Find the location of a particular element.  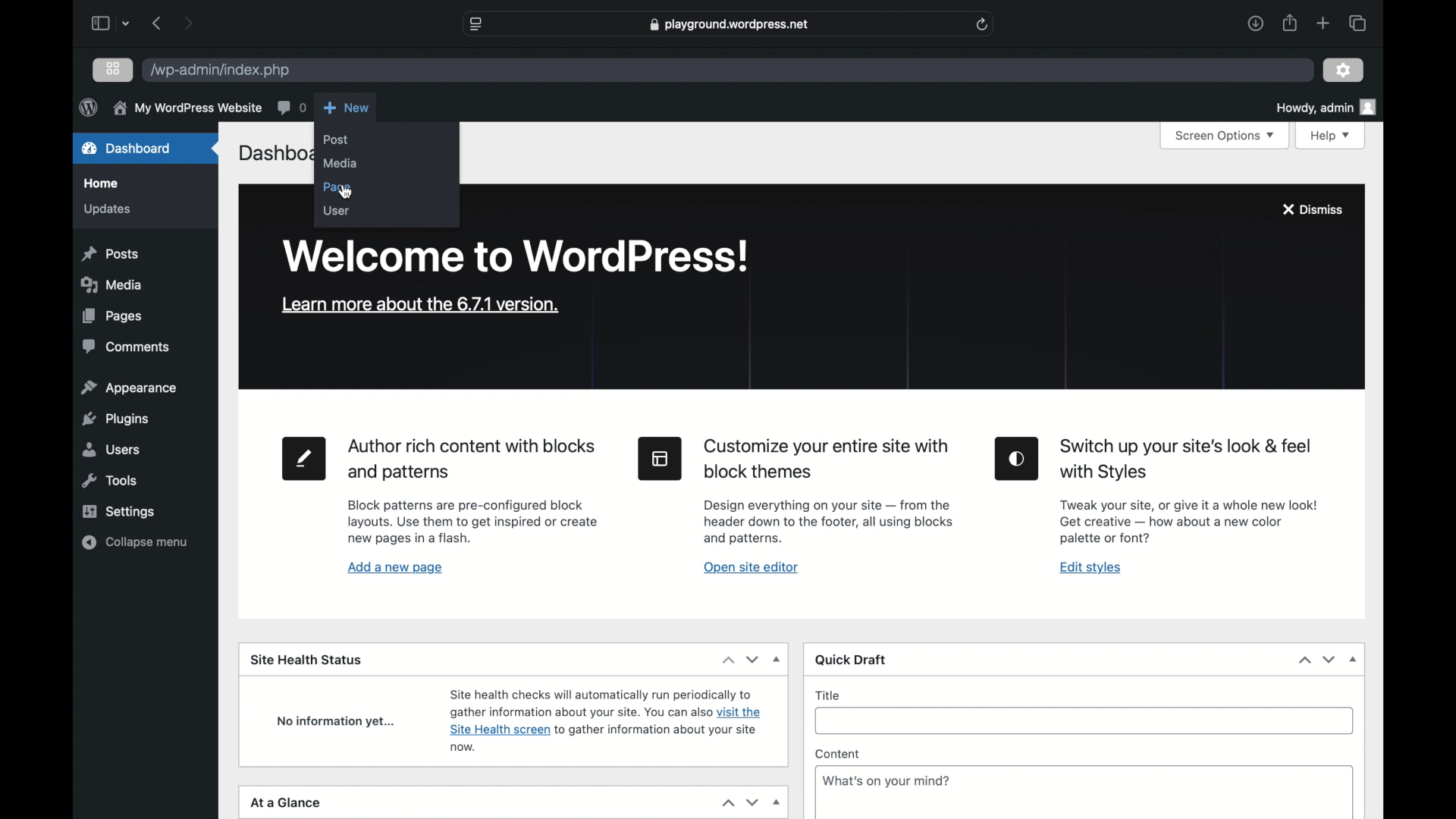

at a glance is located at coordinates (285, 803).